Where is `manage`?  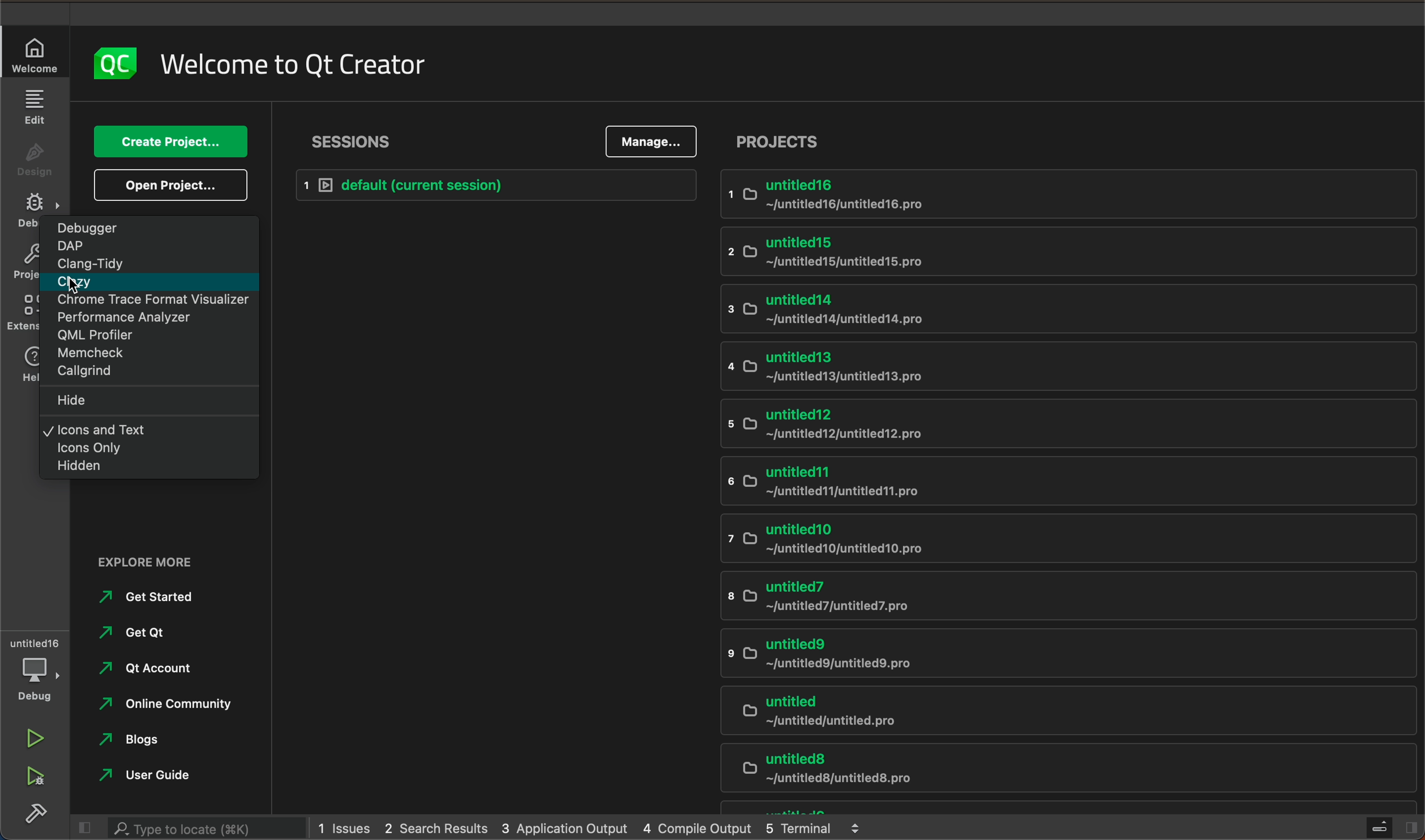 manage is located at coordinates (652, 142).